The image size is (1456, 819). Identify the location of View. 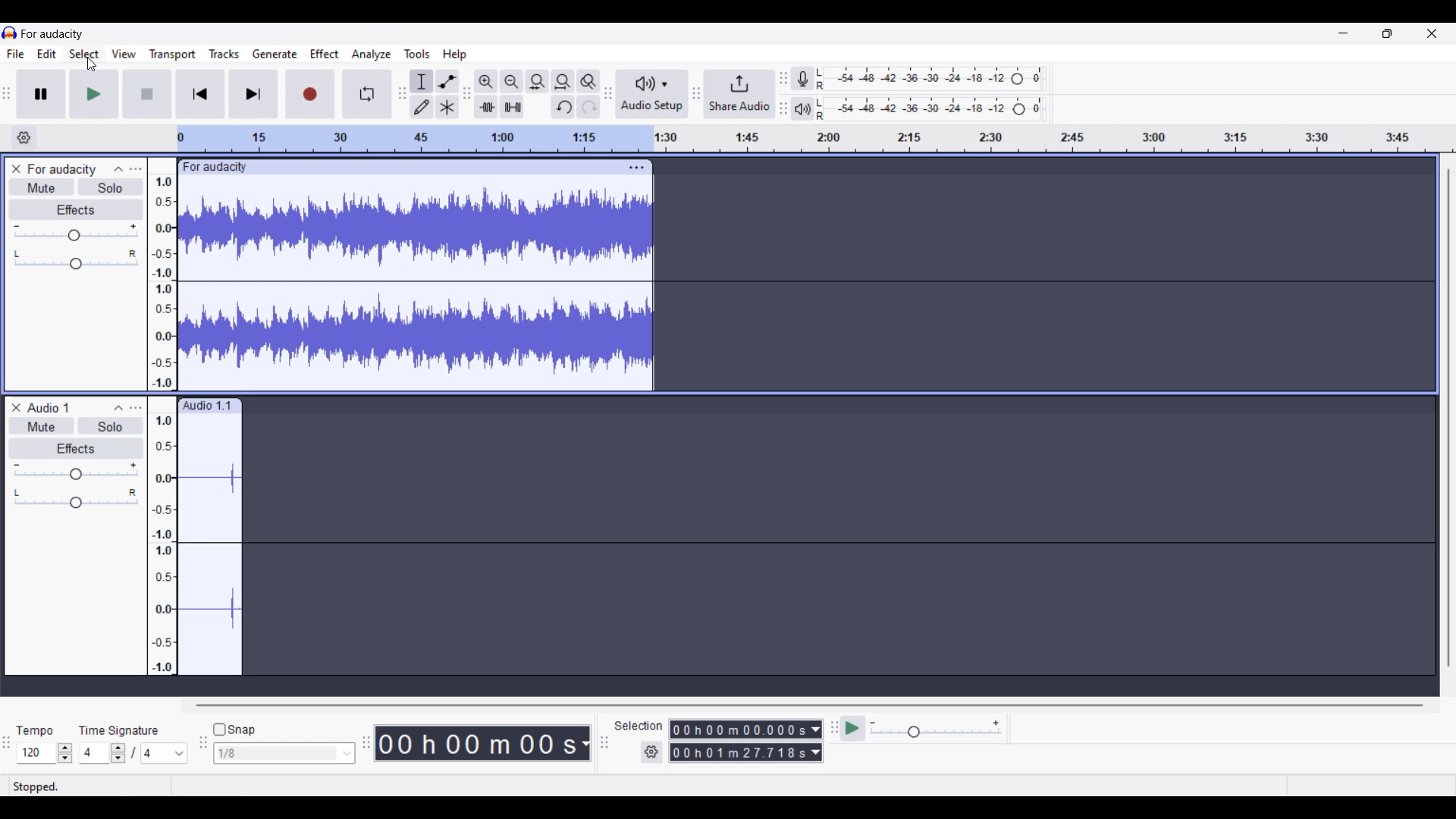
(124, 54).